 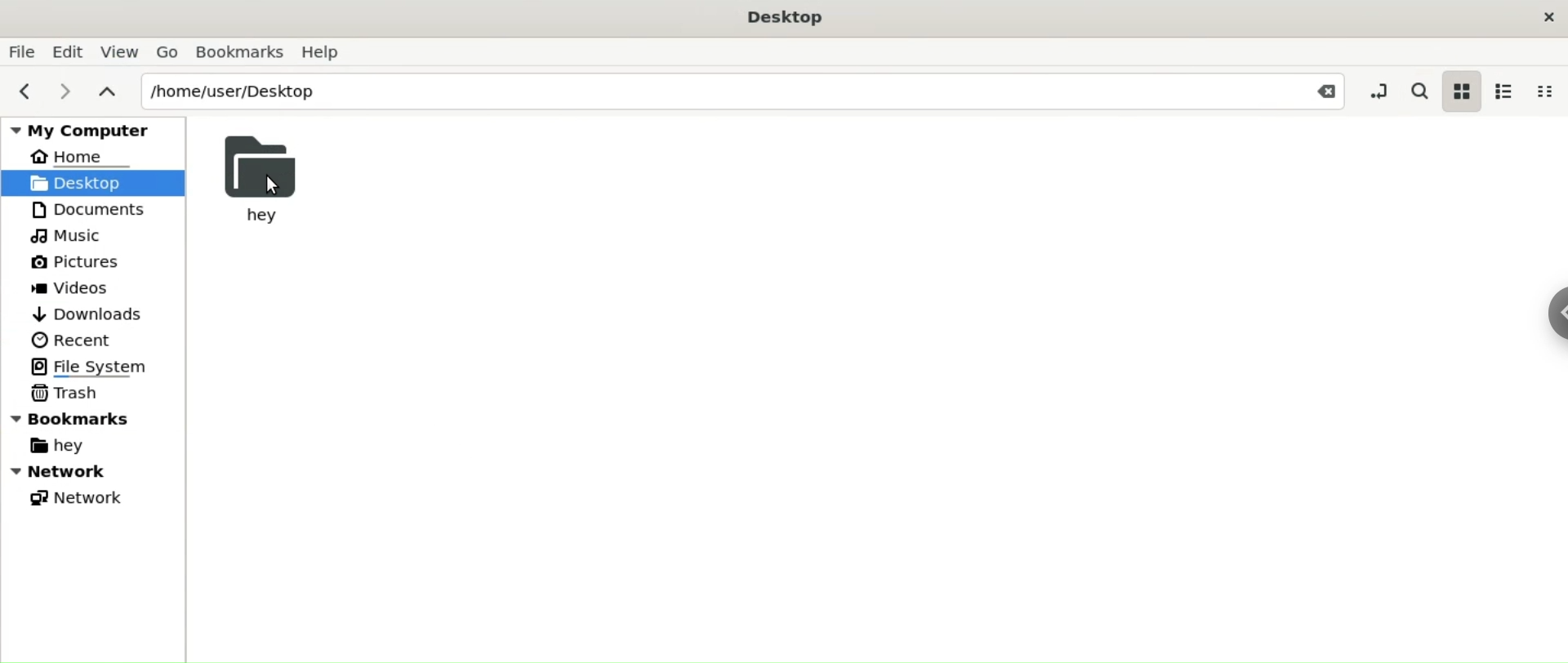 What do you see at coordinates (86, 182) in the screenshot?
I see `Desktop` at bounding box center [86, 182].